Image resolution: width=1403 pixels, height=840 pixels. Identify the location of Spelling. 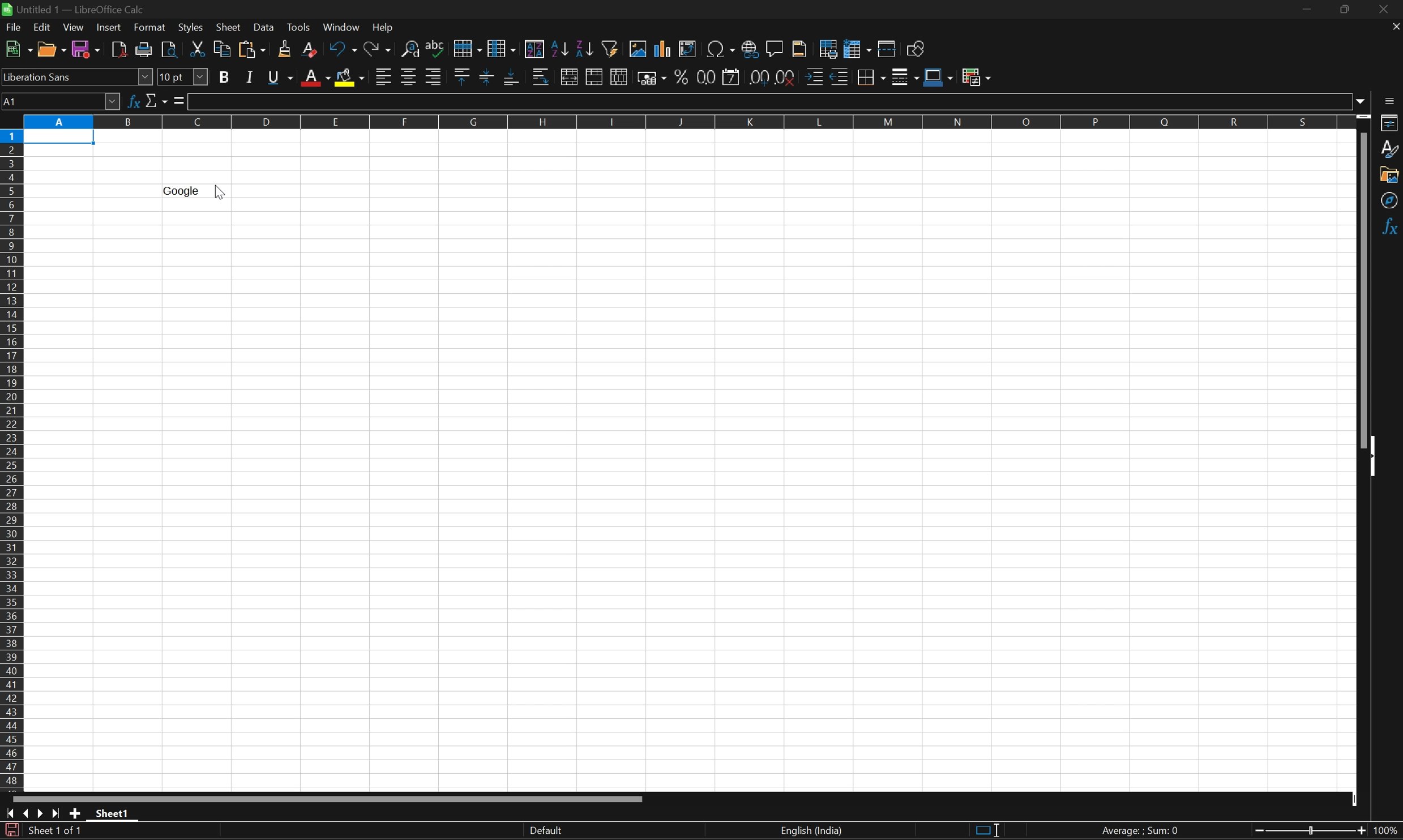
(437, 44).